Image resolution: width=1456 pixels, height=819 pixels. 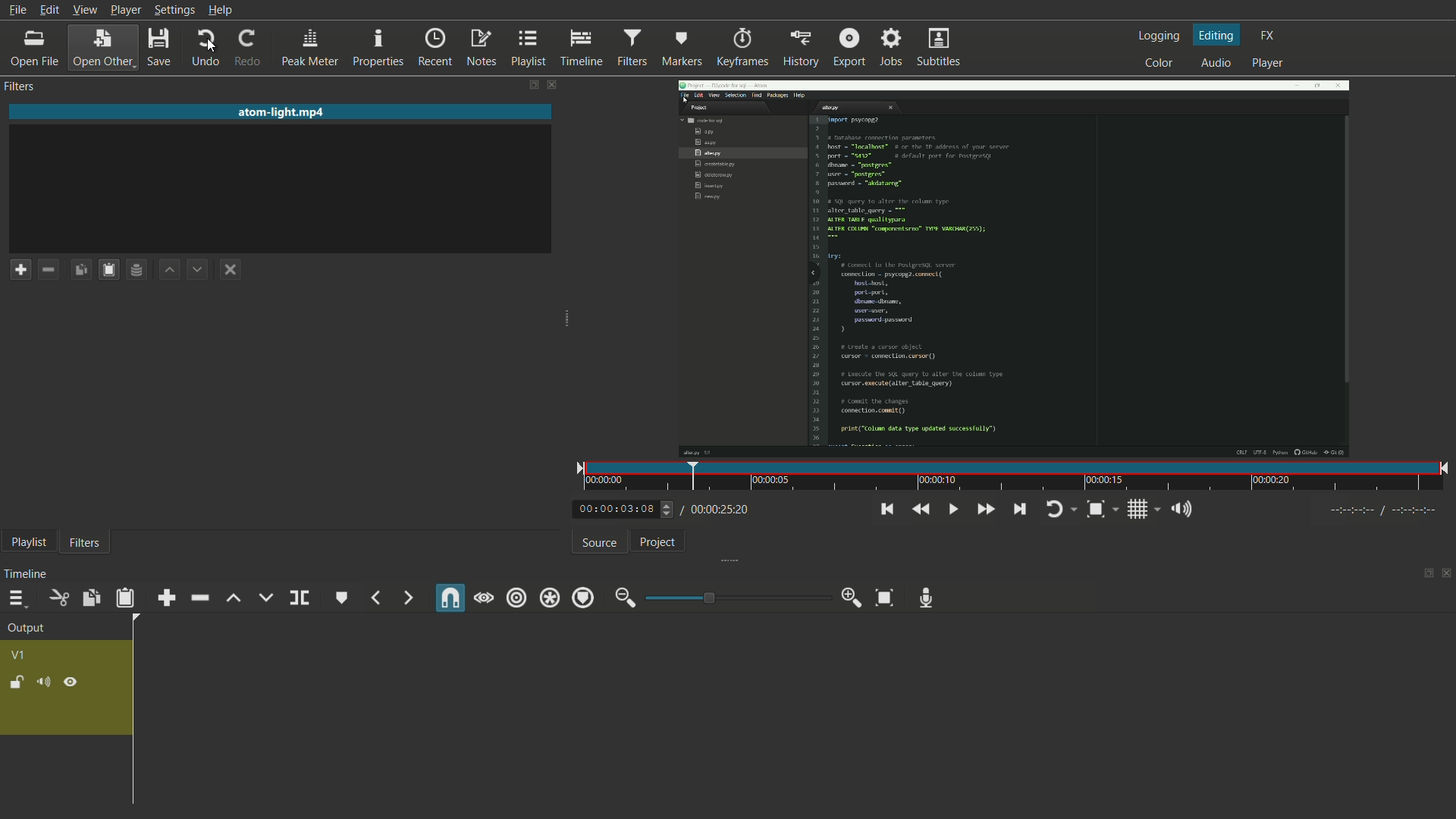 What do you see at coordinates (42, 682) in the screenshot?
I see `volume` at bounding box center [42, 682].